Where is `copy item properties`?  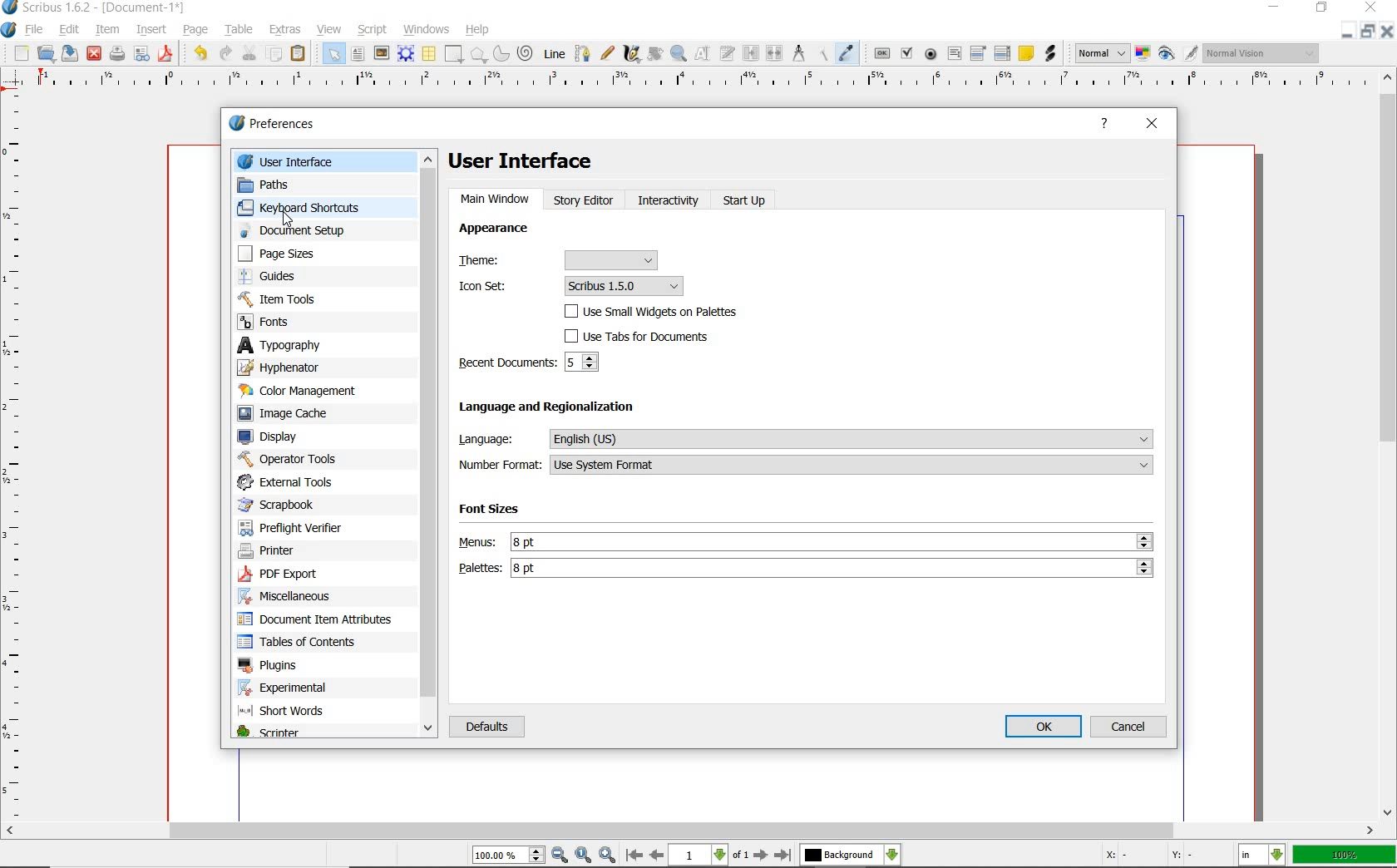 copy item properties is located at coordinates (824, 54).